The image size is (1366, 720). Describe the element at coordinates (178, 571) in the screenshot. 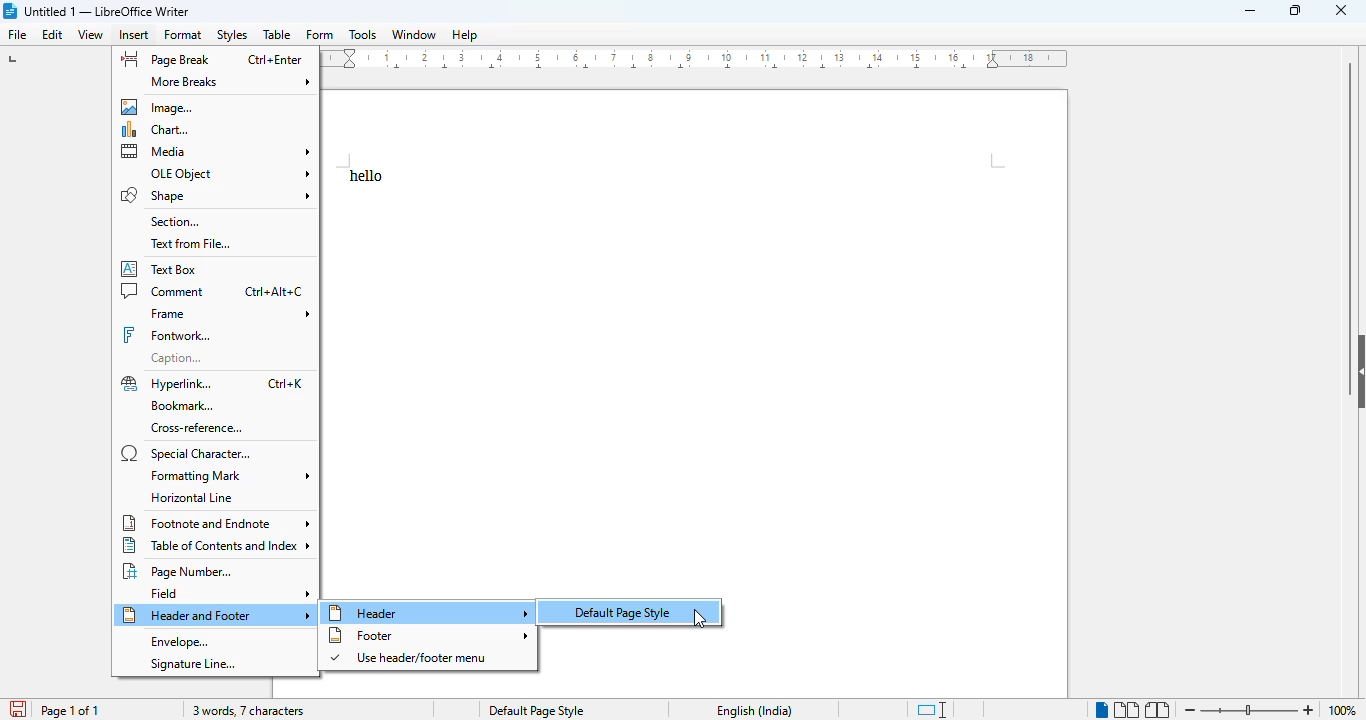

I see `page number` at that location.